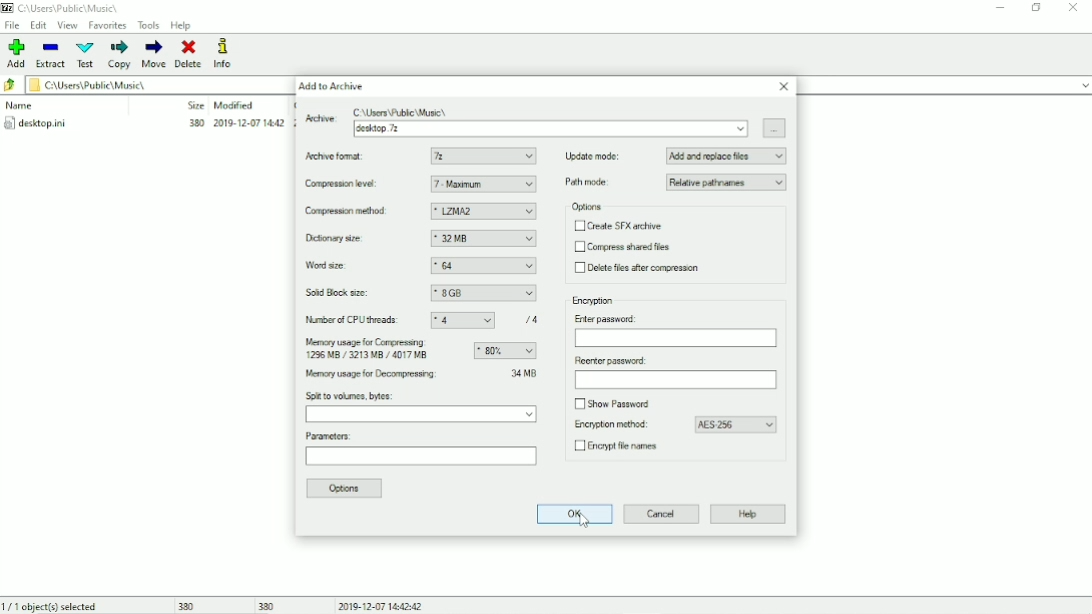  I want to click on Split to volumes, so click(422, 415).